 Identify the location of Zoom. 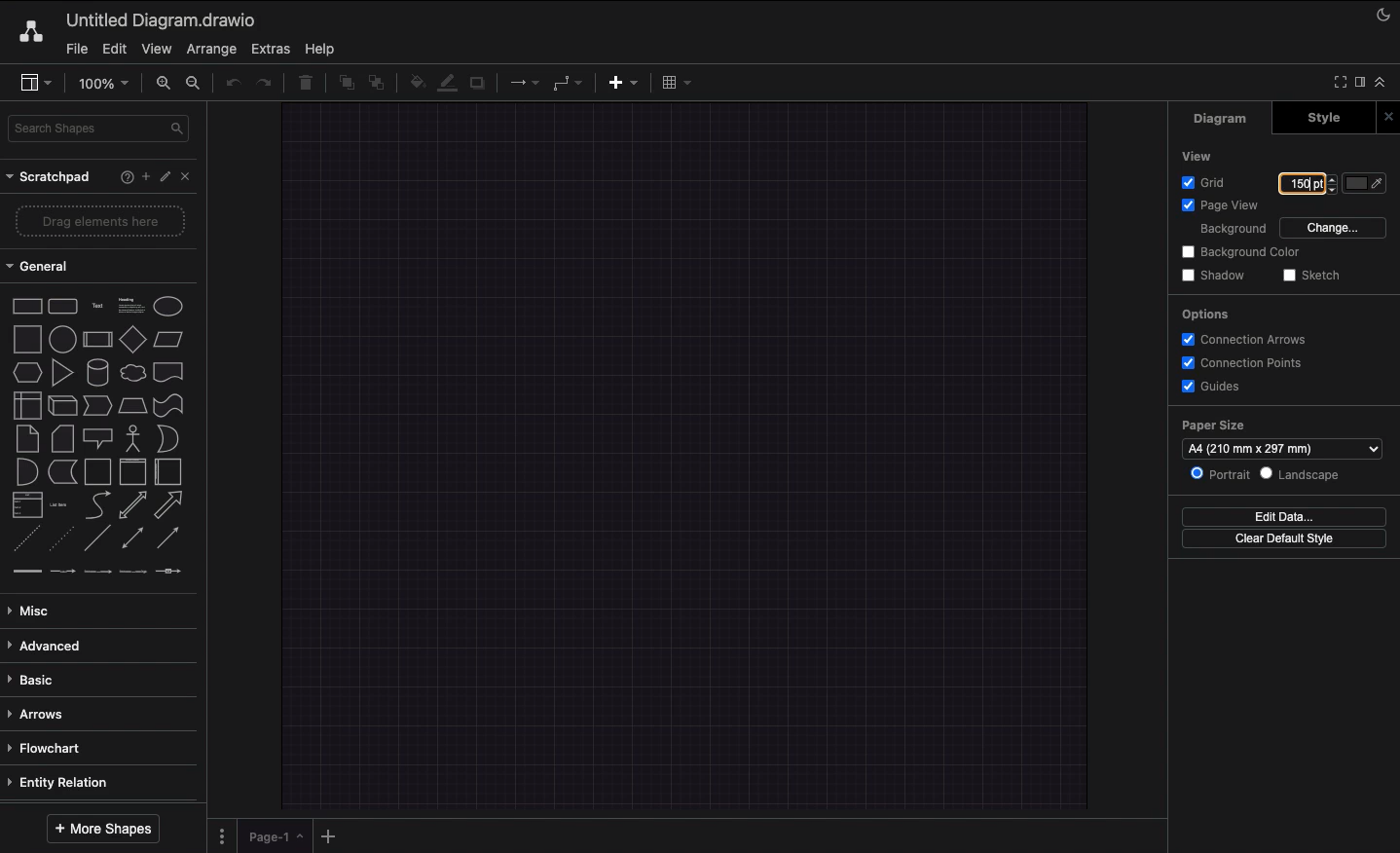
(102, 83).